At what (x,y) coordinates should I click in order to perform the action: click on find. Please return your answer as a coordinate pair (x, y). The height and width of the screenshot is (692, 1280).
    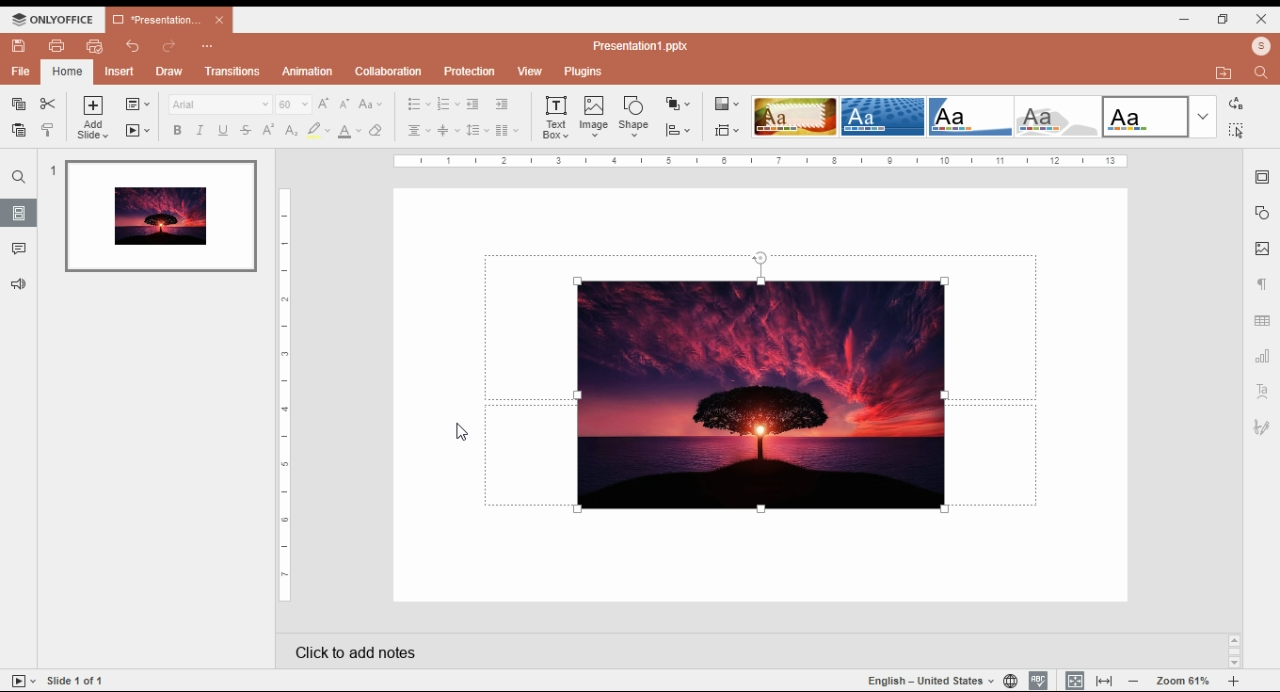
    Looking at the image, I should click on (18, 177).